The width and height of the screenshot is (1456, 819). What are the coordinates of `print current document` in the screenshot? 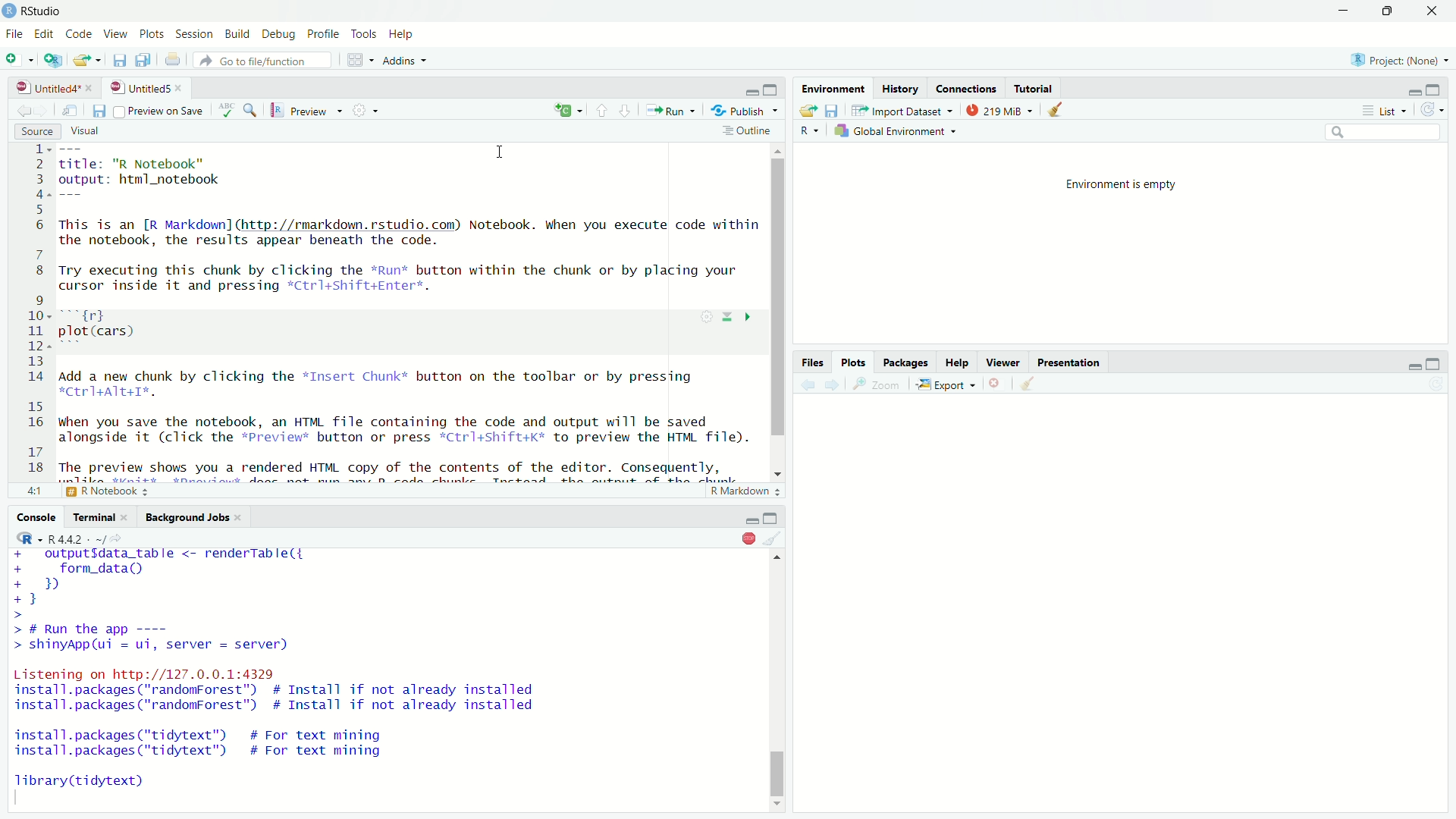 It's located at (172, 60).